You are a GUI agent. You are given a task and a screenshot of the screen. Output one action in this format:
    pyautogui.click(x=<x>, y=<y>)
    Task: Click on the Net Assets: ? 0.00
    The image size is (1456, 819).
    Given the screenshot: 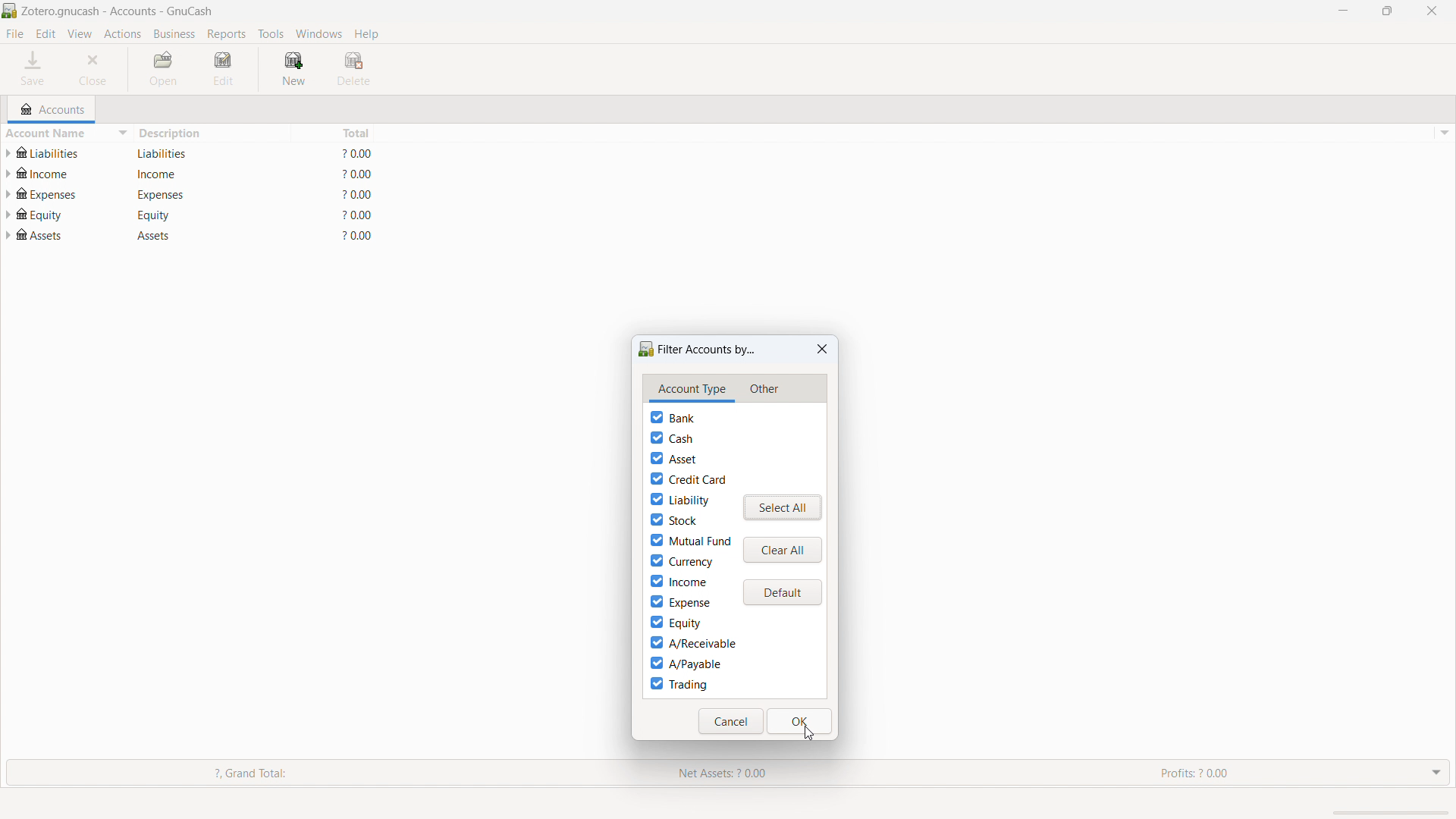 What is the action you would take?
    pyautogui.click(x=730, y=773)
    